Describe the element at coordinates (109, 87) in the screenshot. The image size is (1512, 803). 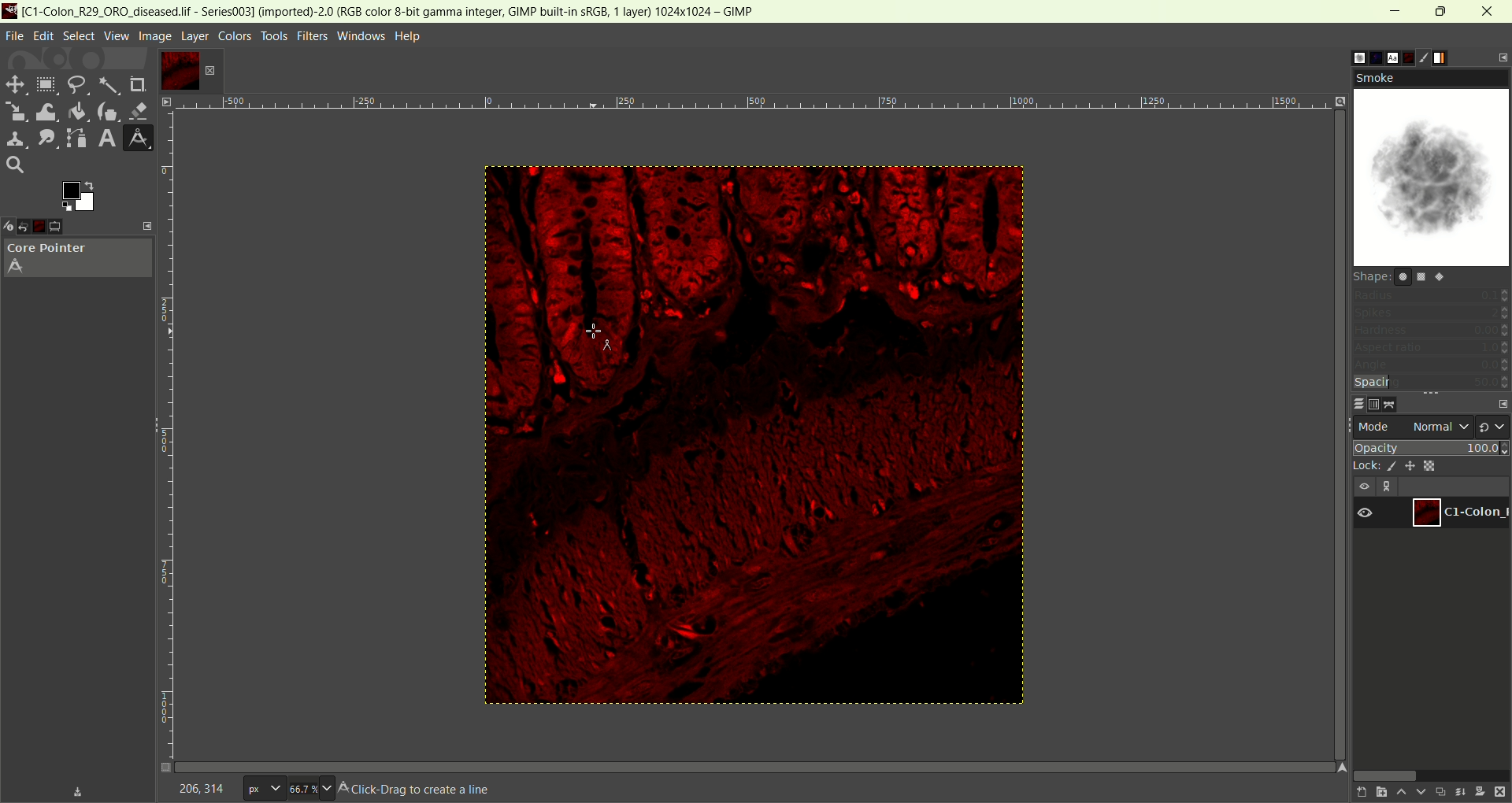
I see `fuzzy select tool` at that location.